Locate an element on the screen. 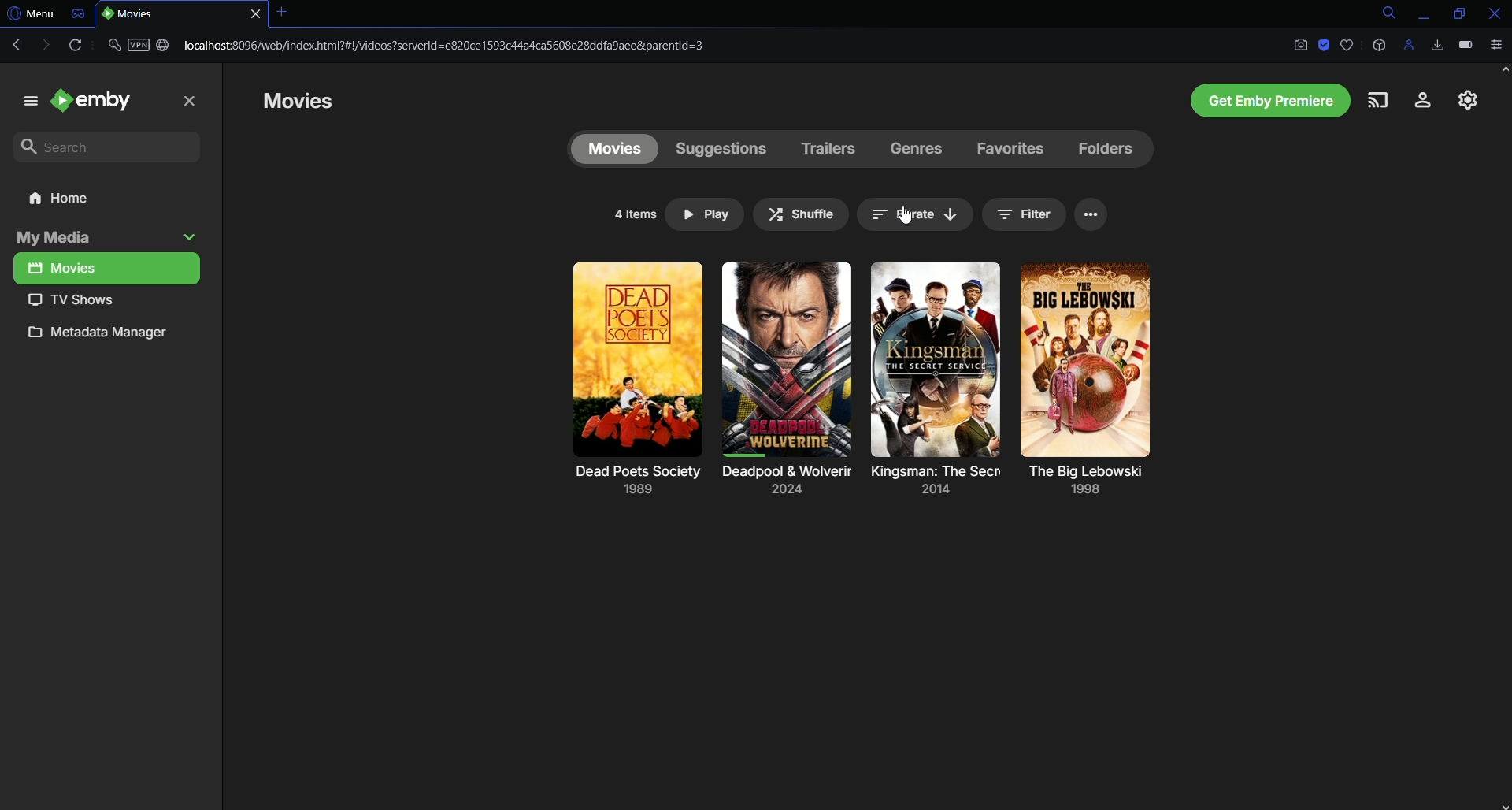 Image resolution: width=1512 pixels, height=810 pixels. Battery is located at coordinates (1465, 46).